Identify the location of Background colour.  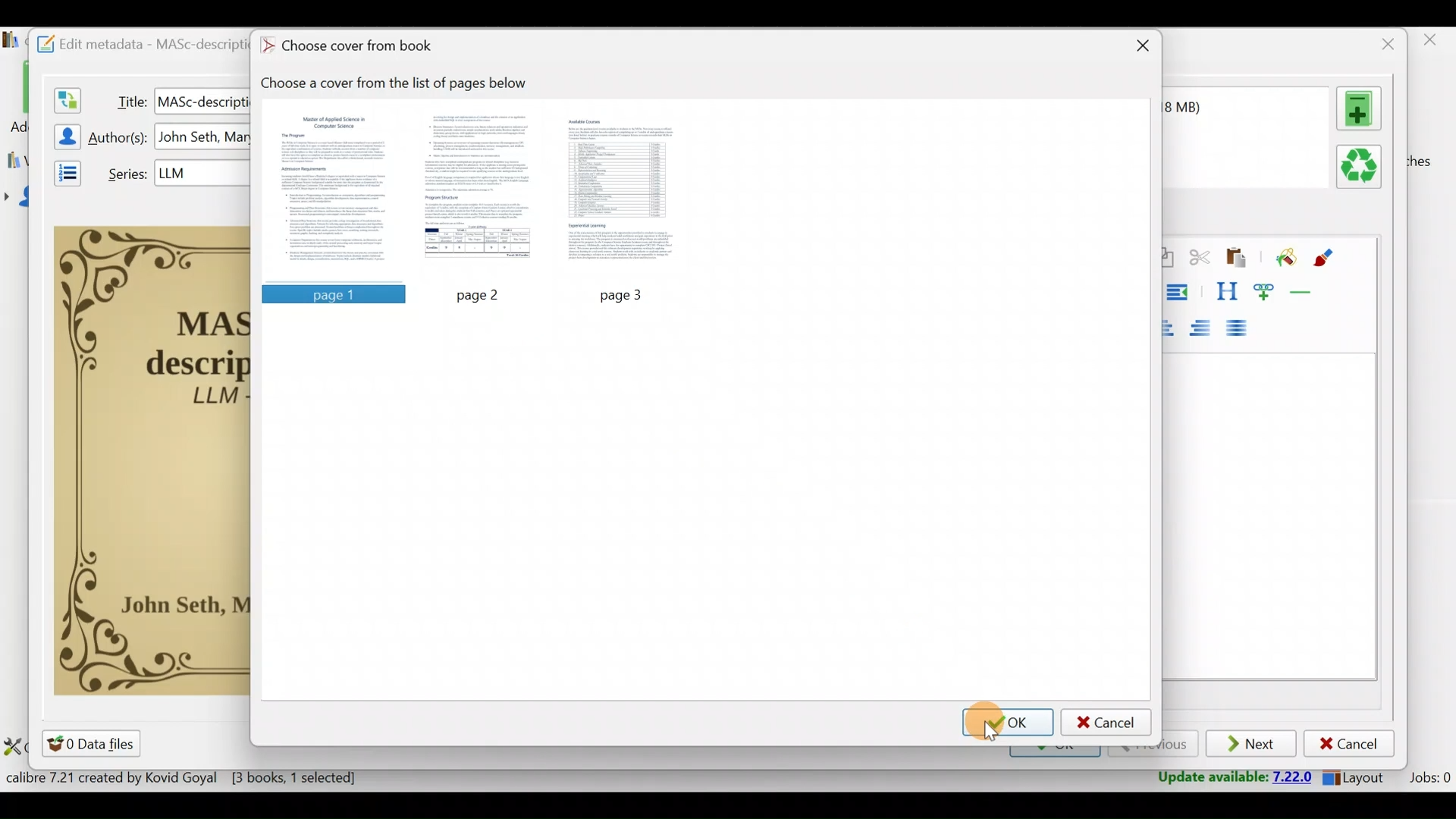
(1284, 259).